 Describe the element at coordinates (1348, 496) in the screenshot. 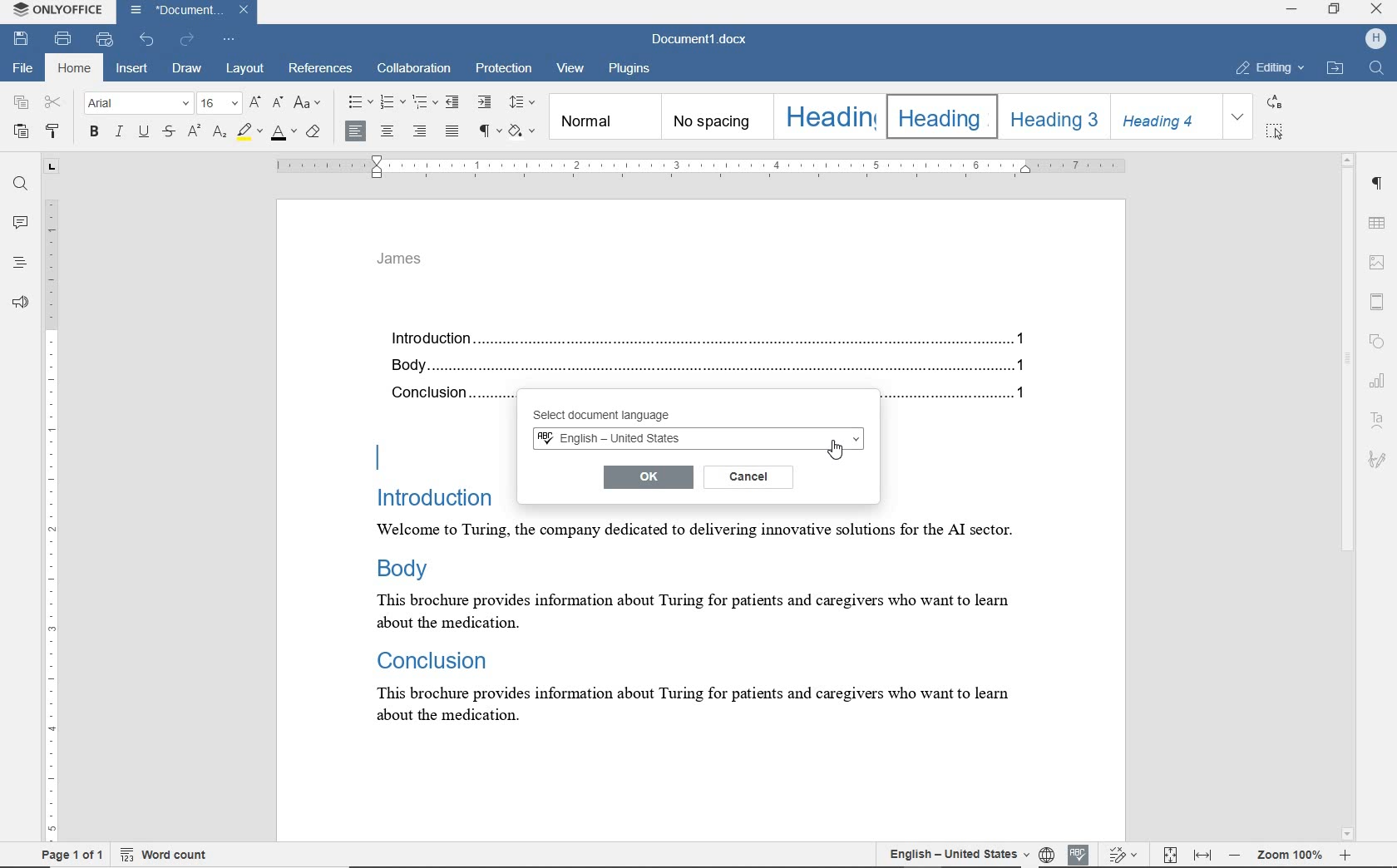

I see `scrollbar` at that location.